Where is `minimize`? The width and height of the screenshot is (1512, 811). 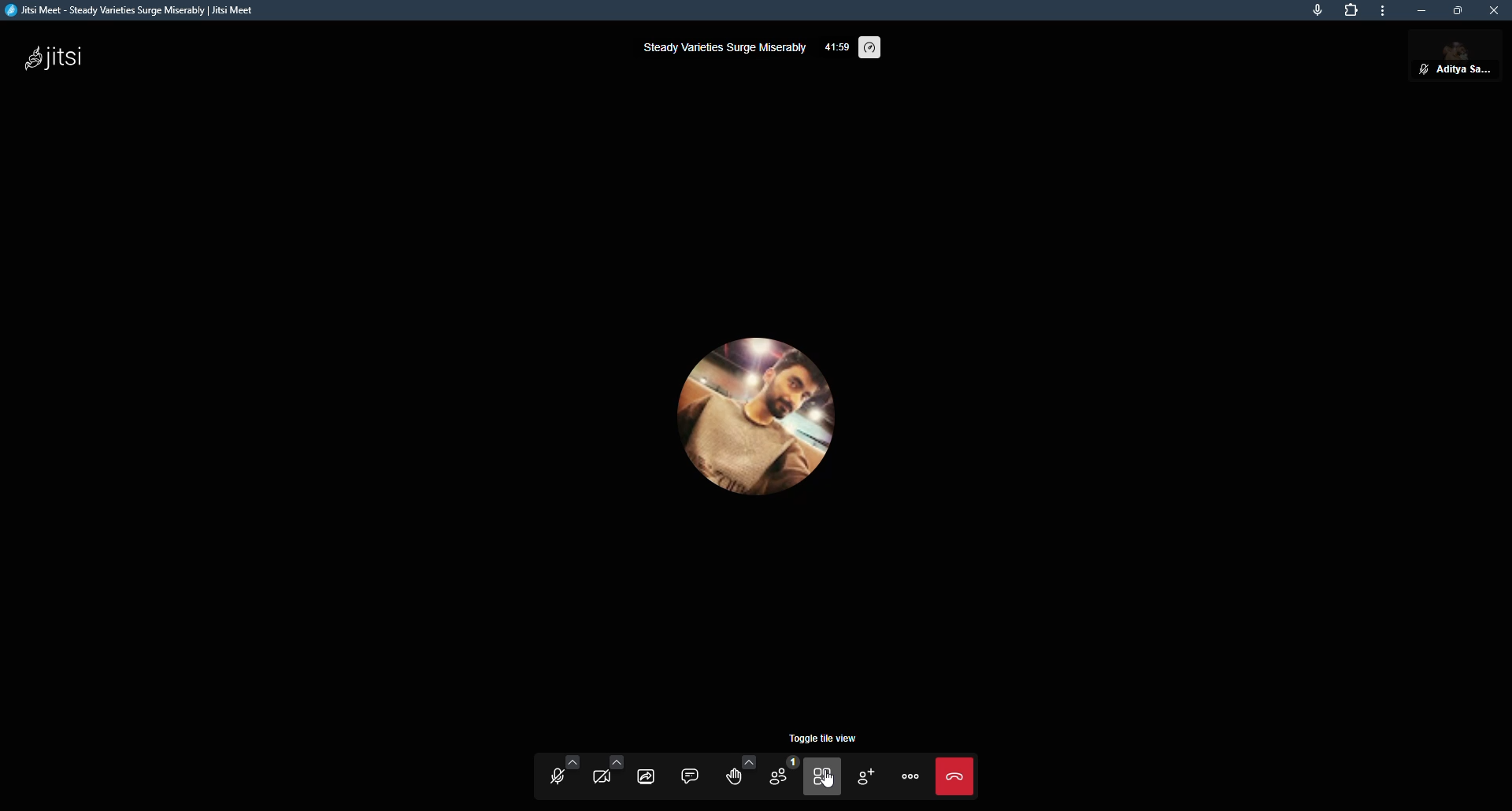
minimize is located at coordinates (1422, 10).